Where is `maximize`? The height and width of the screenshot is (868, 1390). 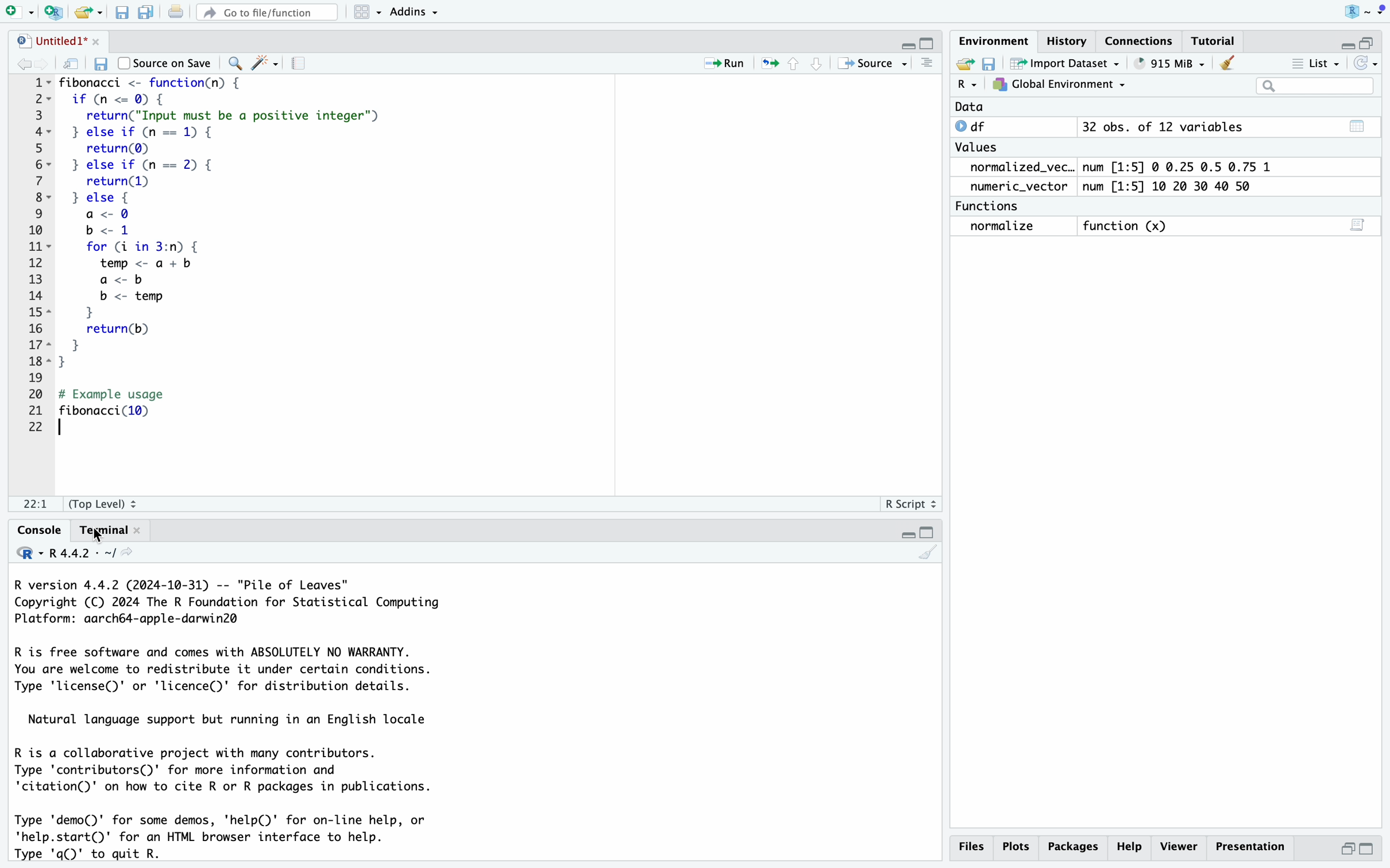
maximize is located at coordinates (1374, 850).